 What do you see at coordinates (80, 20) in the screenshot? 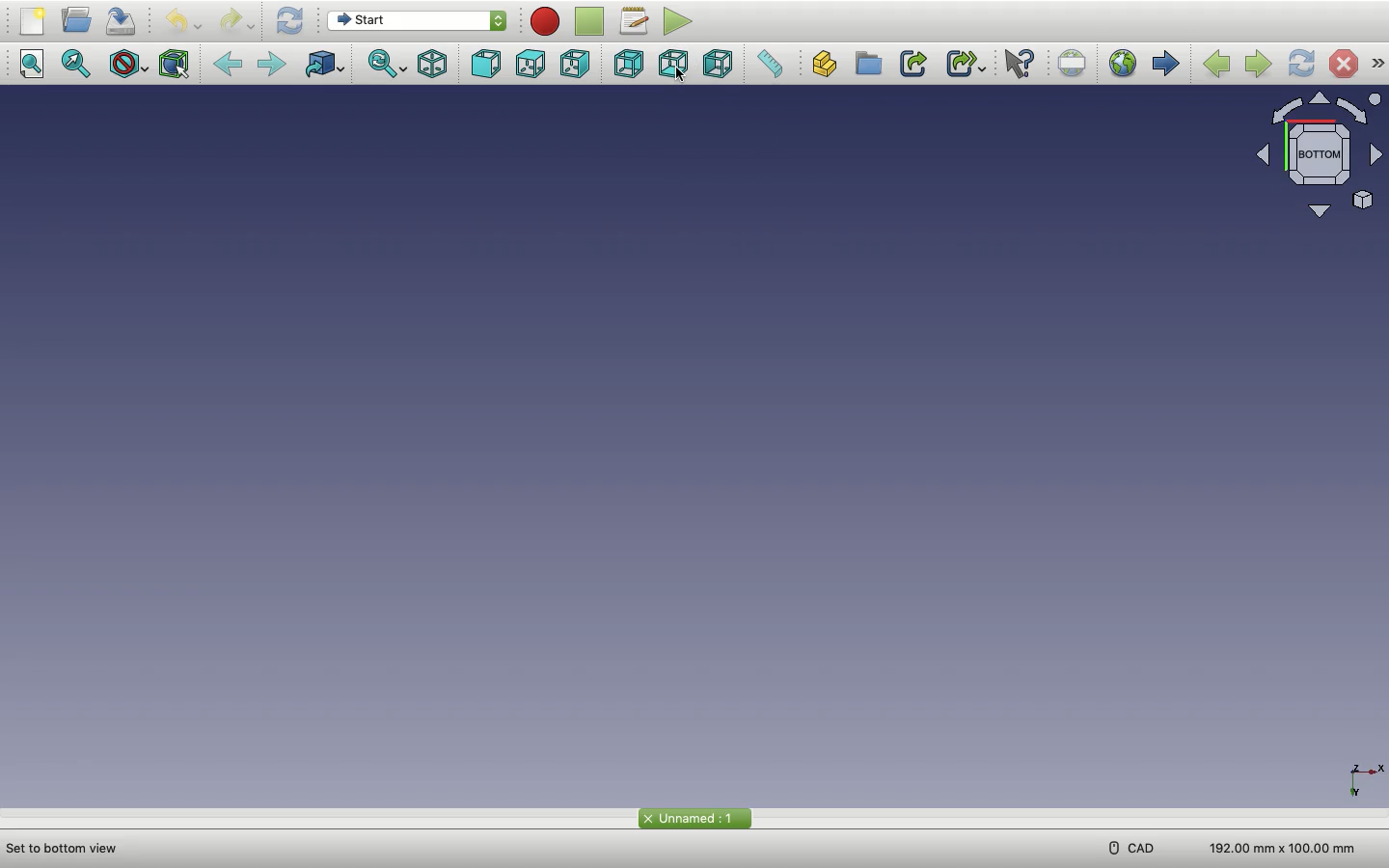
I see `Open` at bounding box center [80, 20].